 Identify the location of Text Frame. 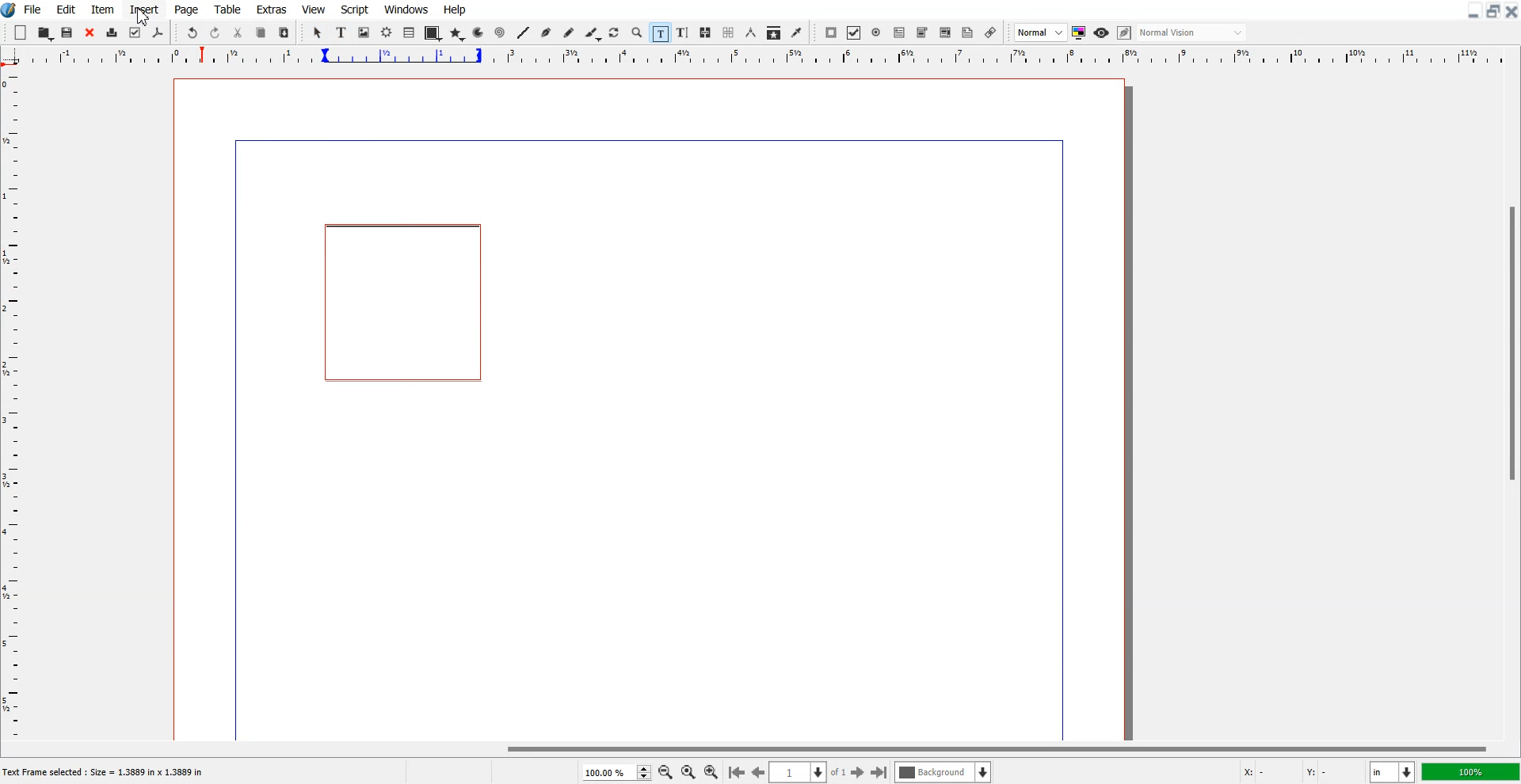
(399, 306).